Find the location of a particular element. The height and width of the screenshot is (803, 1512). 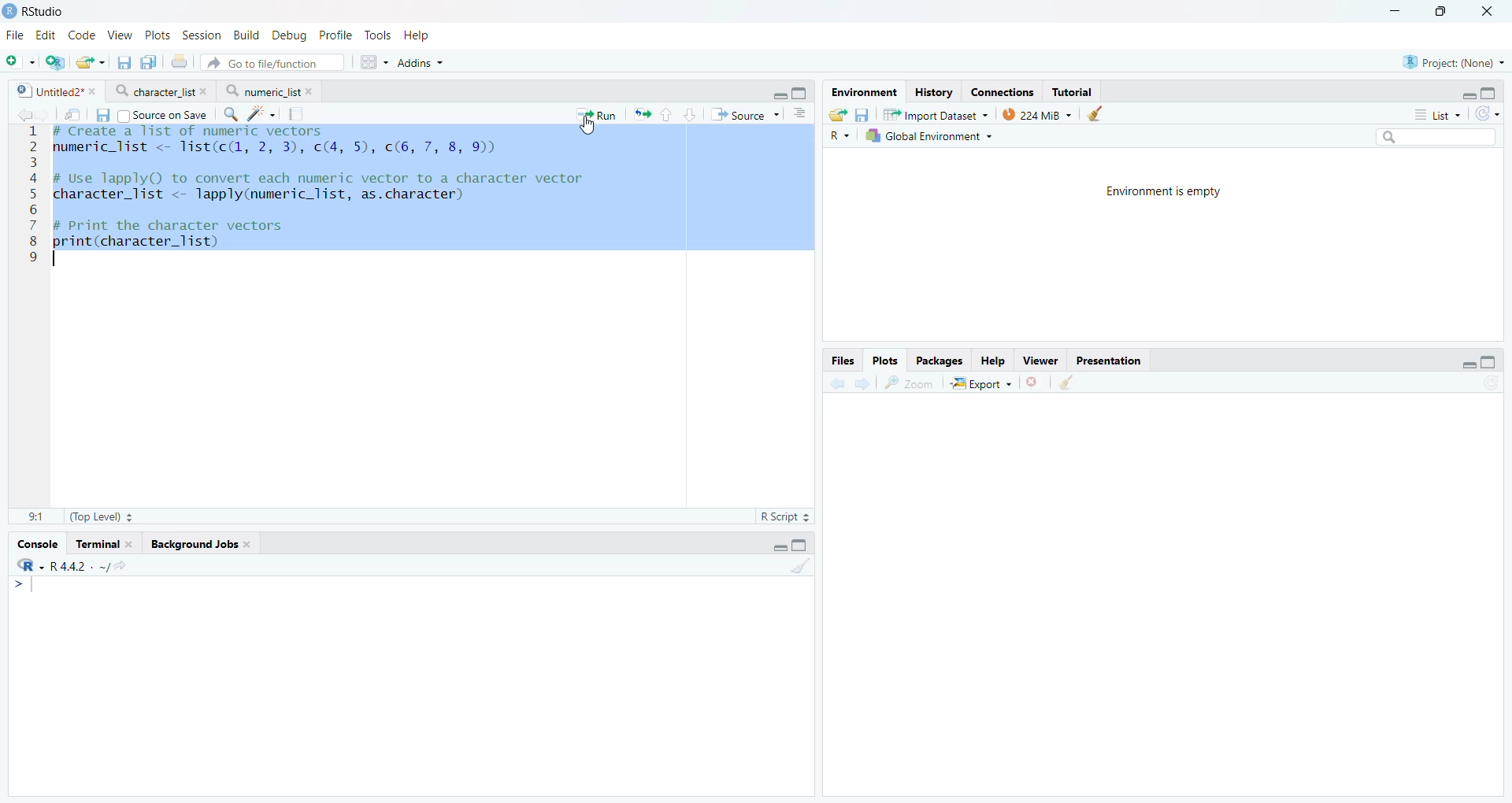

Export history logs is located at coordinates (836, 113).